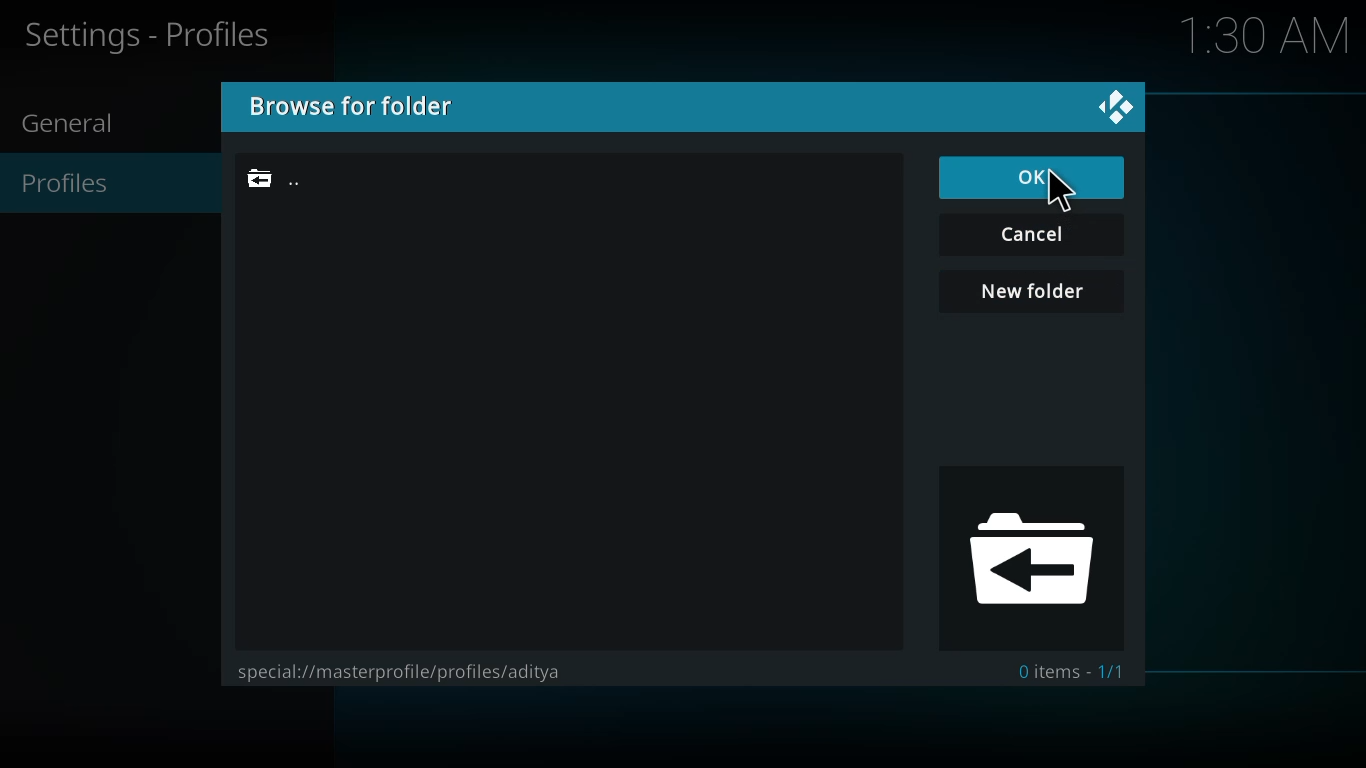  Describe the element at coordinates (1072, 190) in the screenshot. I see `cursor` at that location.